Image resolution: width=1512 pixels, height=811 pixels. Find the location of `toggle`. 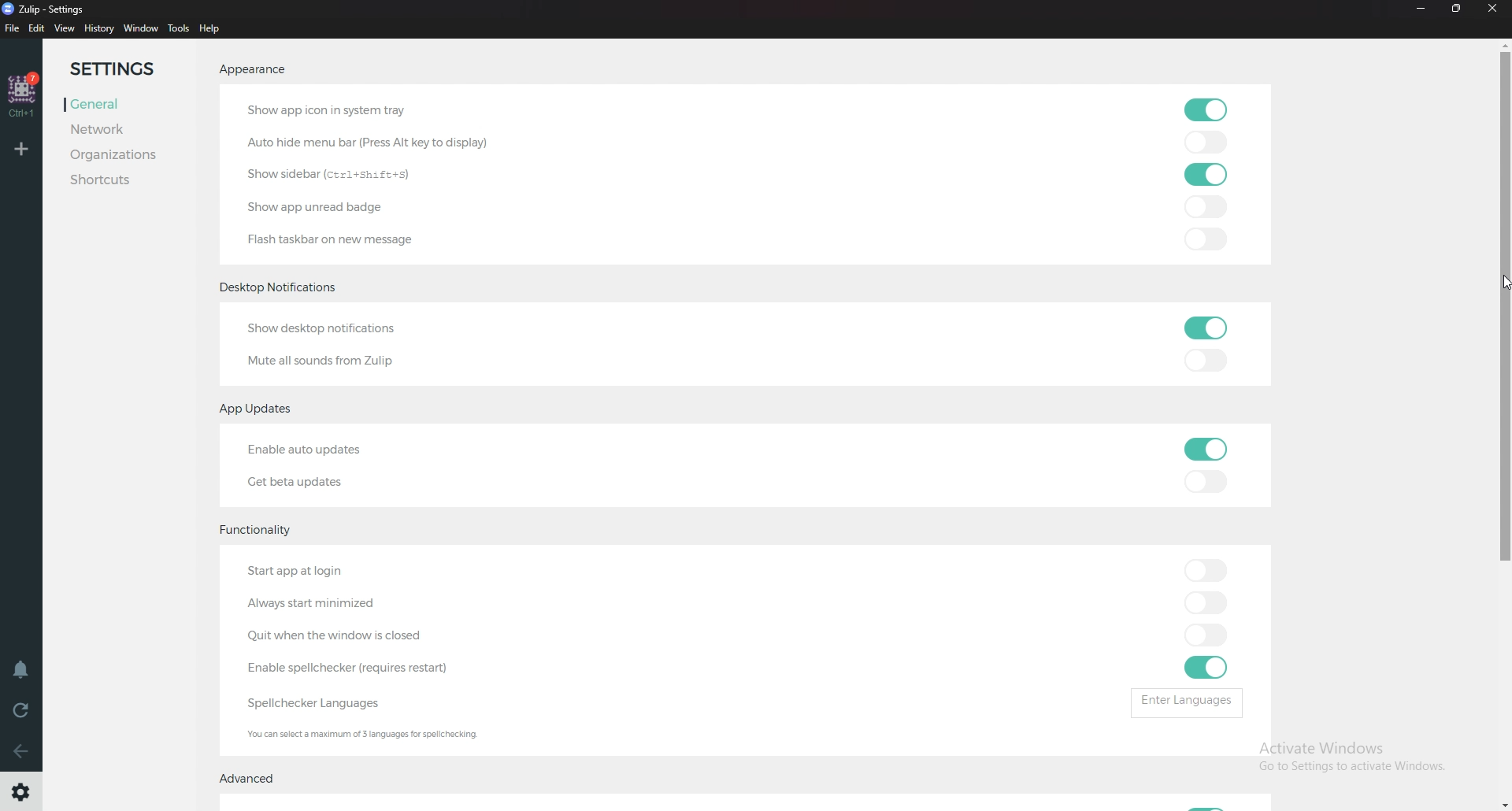

toggle is located at coordinates (1206, 569).